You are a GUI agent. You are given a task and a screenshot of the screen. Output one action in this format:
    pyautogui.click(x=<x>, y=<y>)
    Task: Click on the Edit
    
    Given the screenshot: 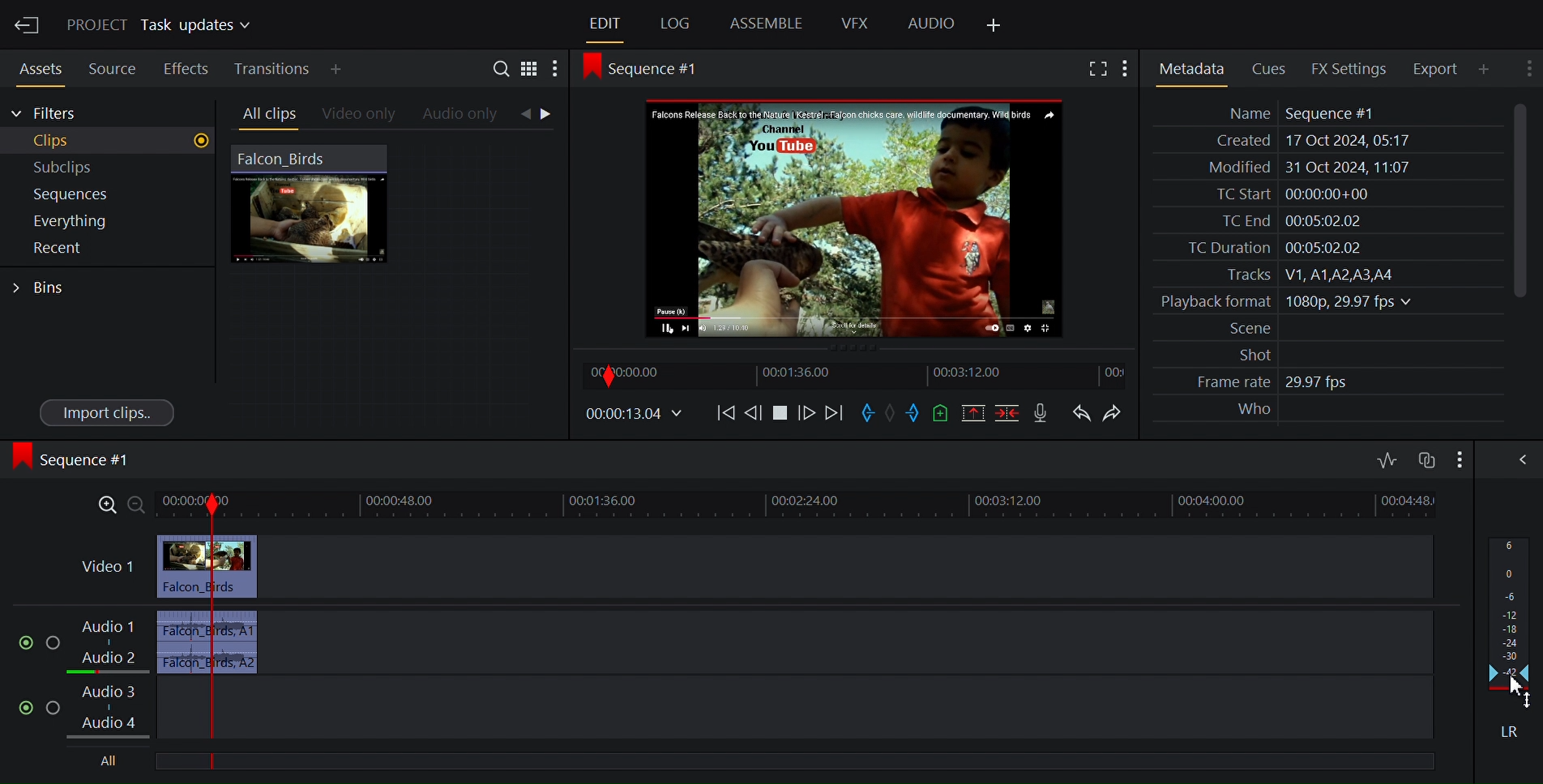 What is the action you would take?
    pyautogui.click(x=602, y=23)
    